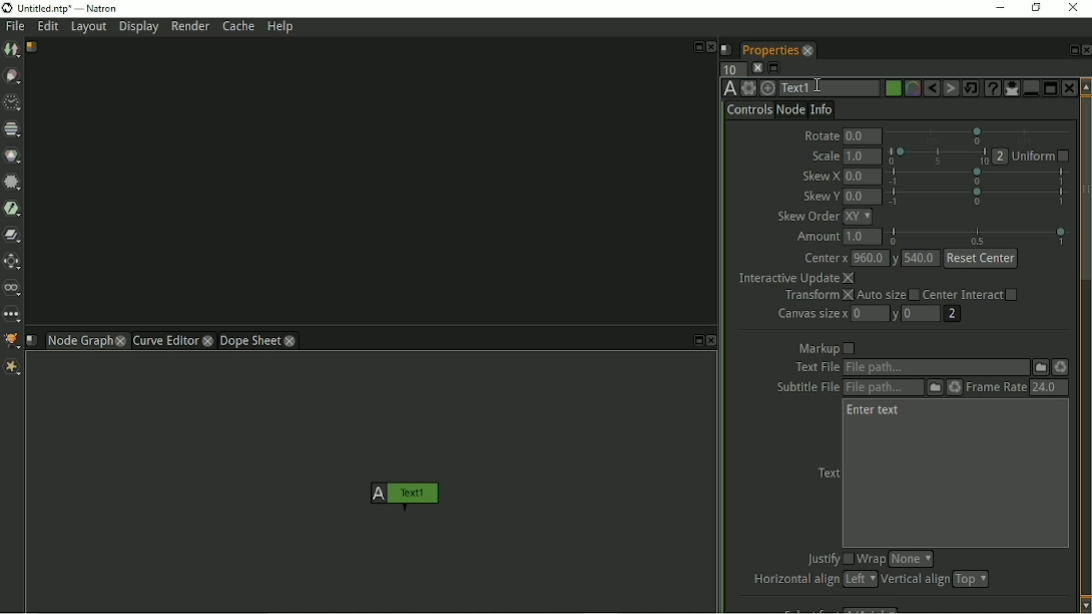 This screenshot has height=614, width=1092. I want to click on 1.0, so click(863, 237).